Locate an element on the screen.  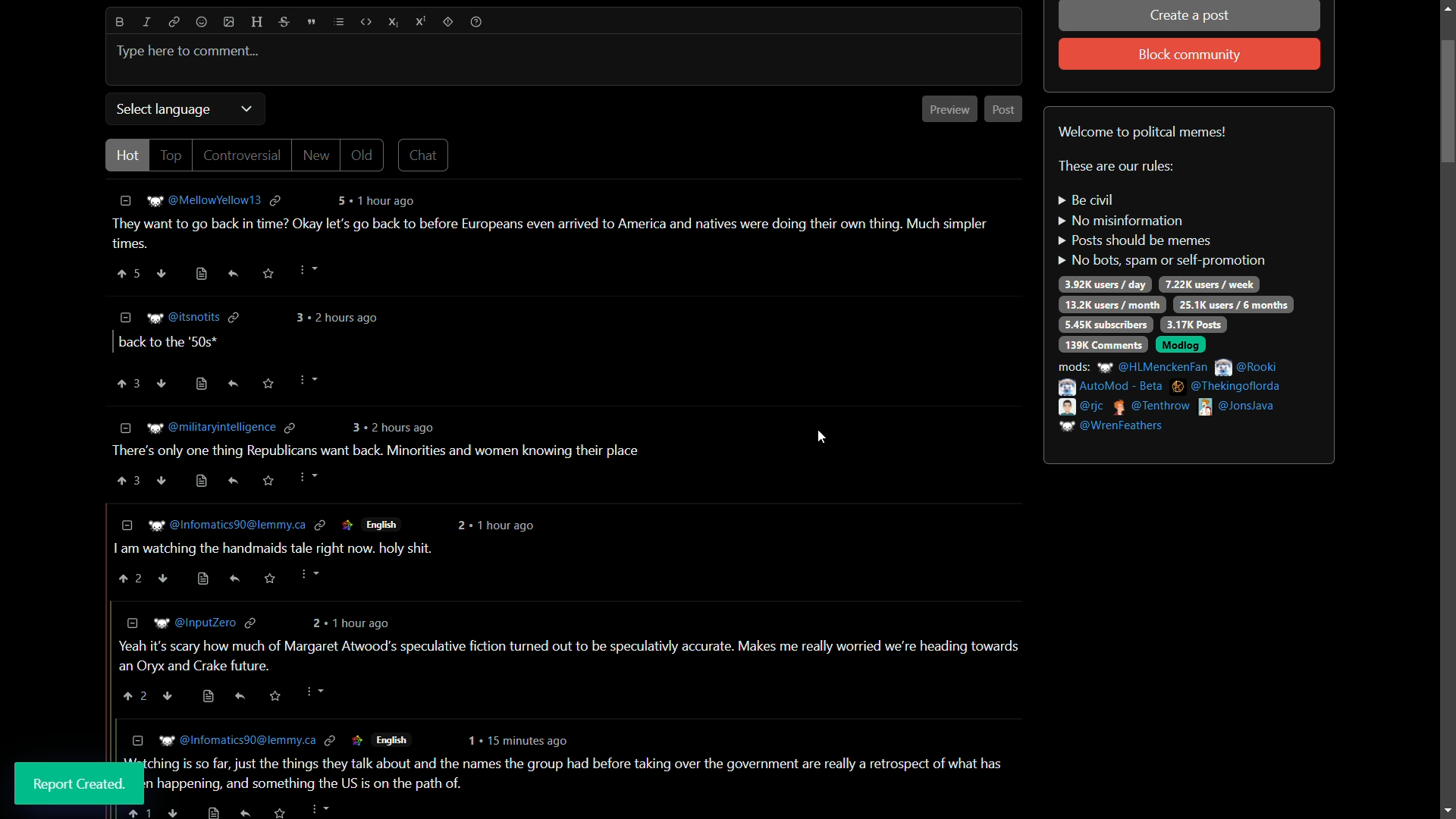
139k comments is located at coordinates (1103, 344).